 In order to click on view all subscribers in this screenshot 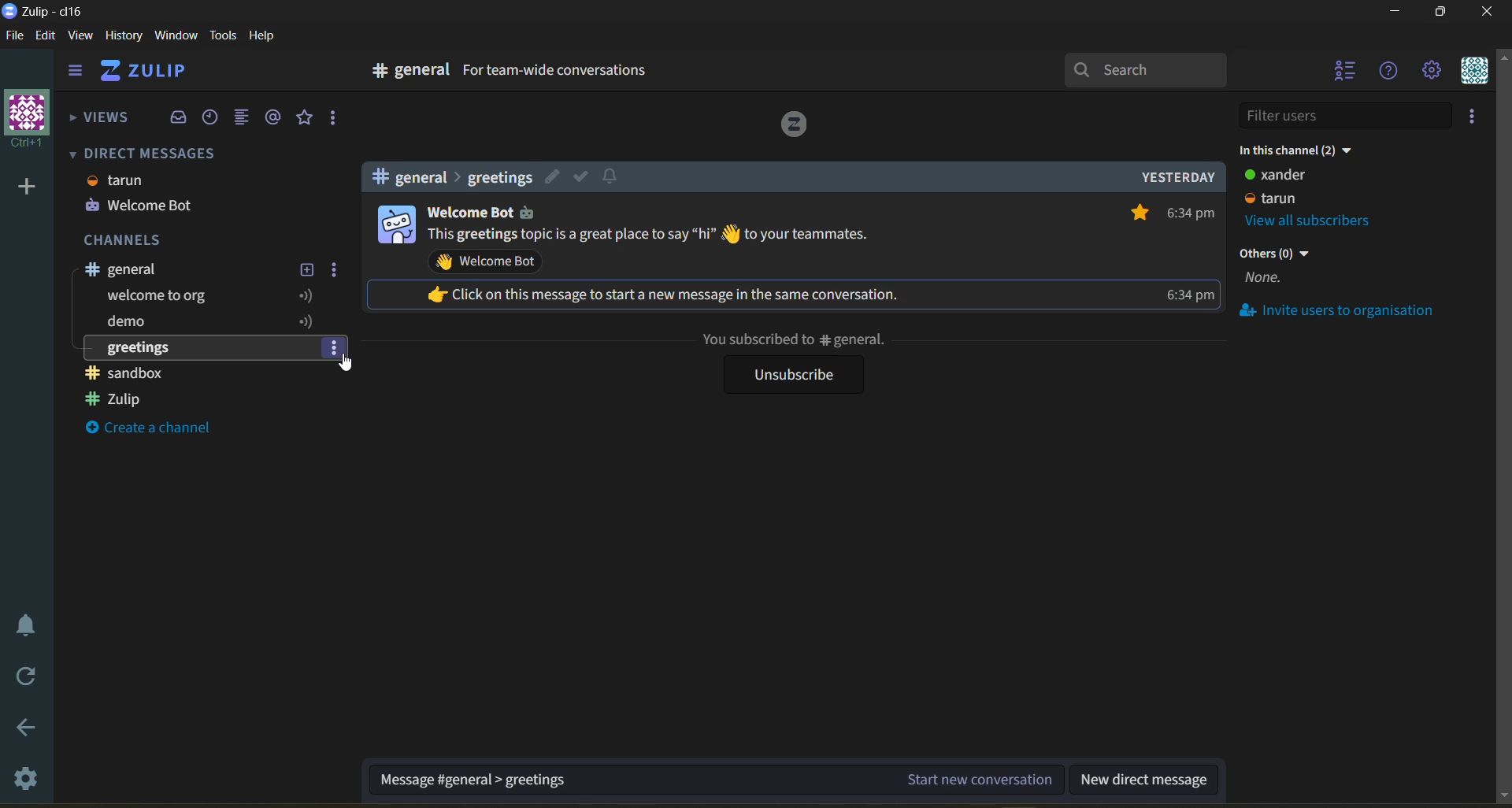, I will do `click(1321, 220)`.